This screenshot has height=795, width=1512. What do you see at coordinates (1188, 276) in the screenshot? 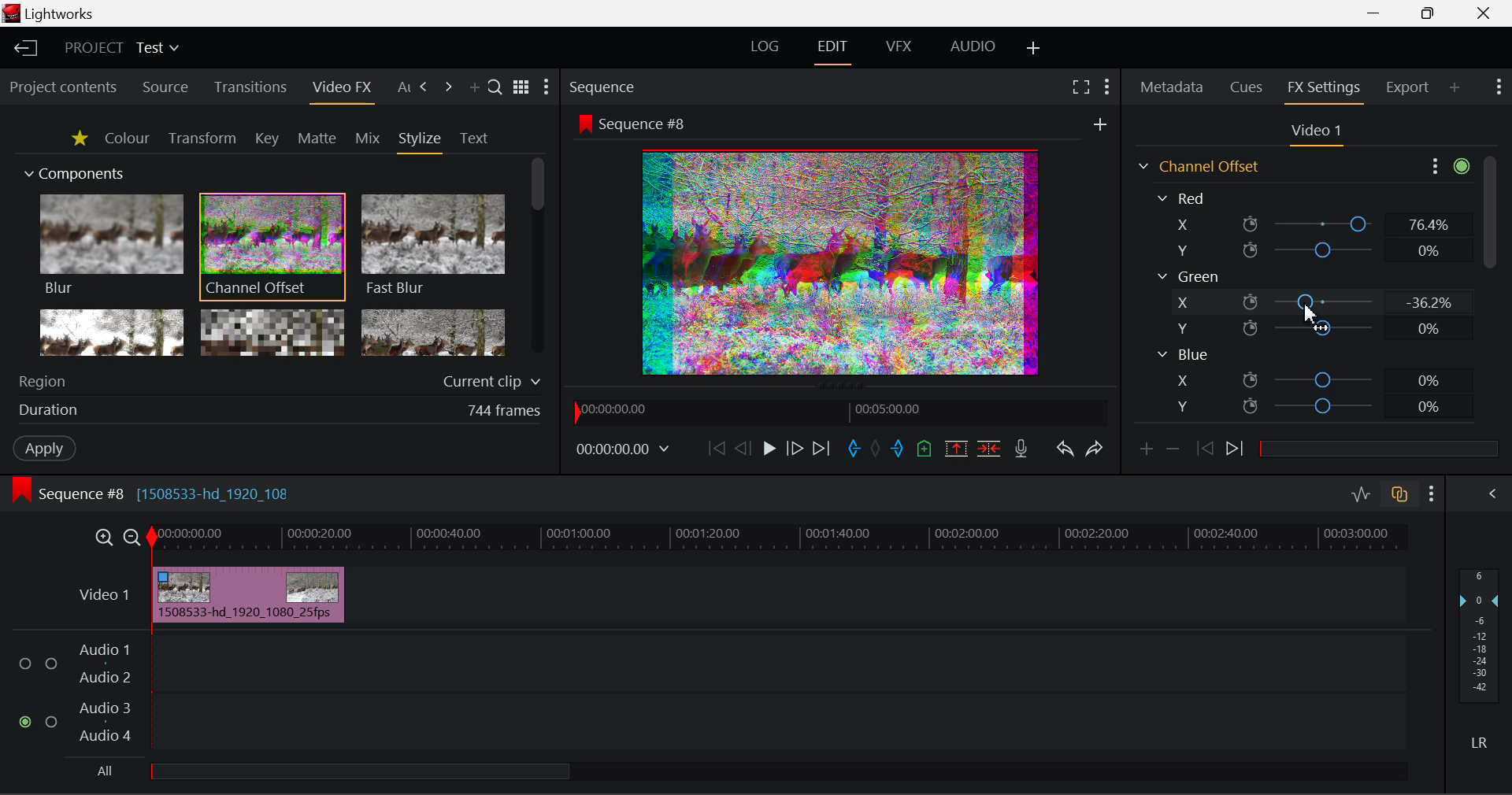
I see `Green` at bounding box center [1188, 276].